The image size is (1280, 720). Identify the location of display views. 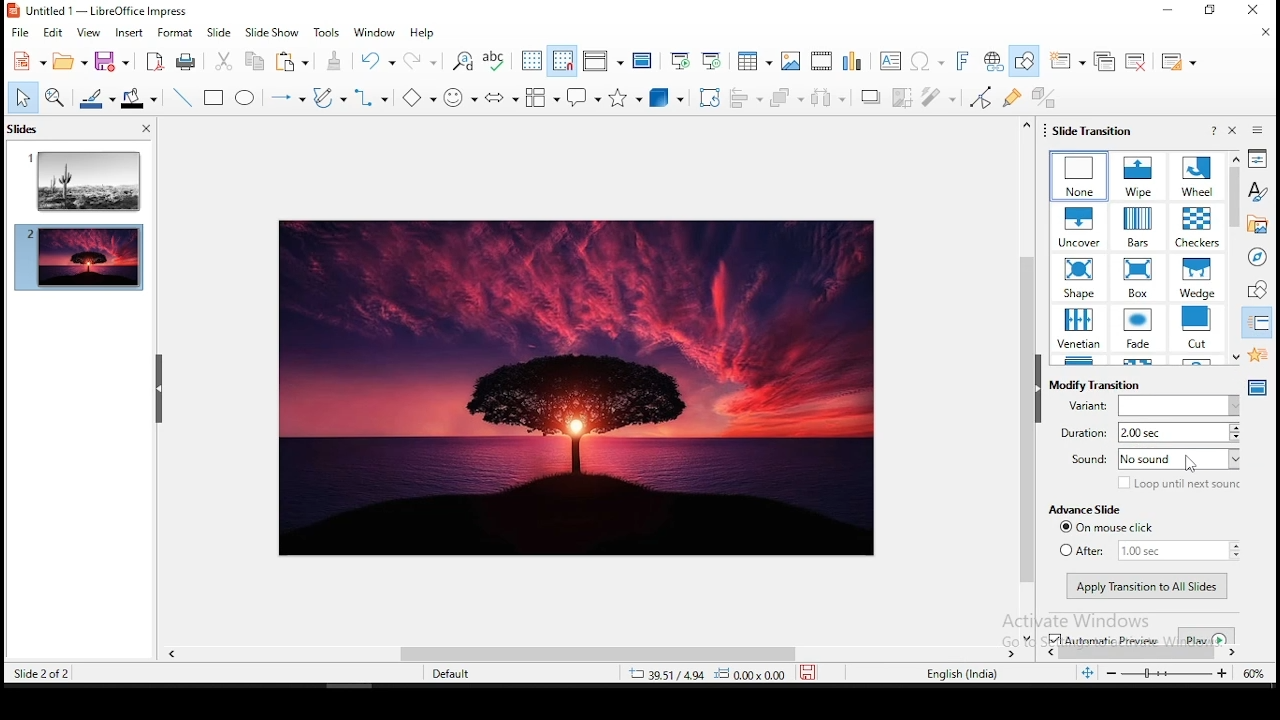
(602, 61).